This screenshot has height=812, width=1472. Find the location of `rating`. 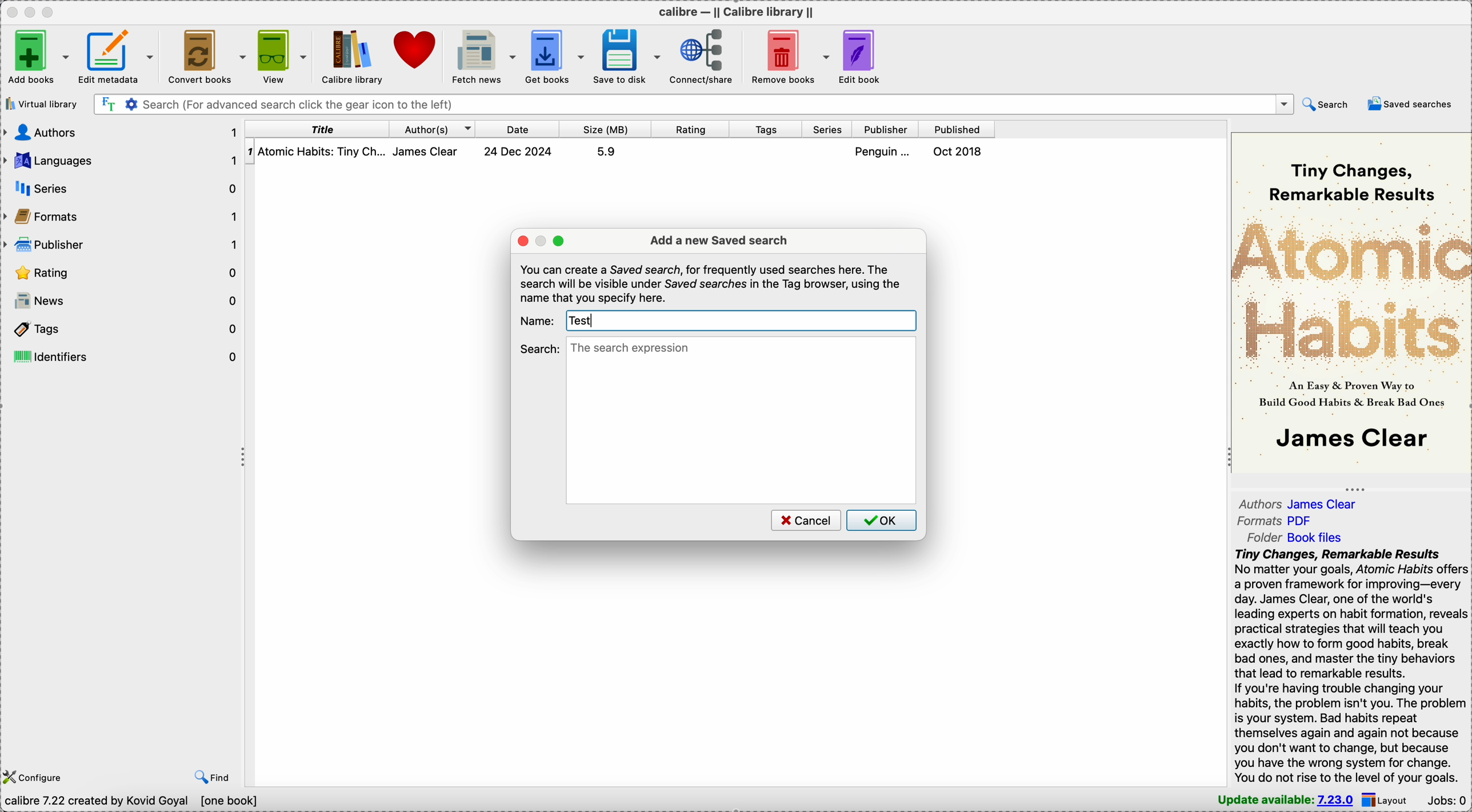

rating is located at coordinates (122, 274).